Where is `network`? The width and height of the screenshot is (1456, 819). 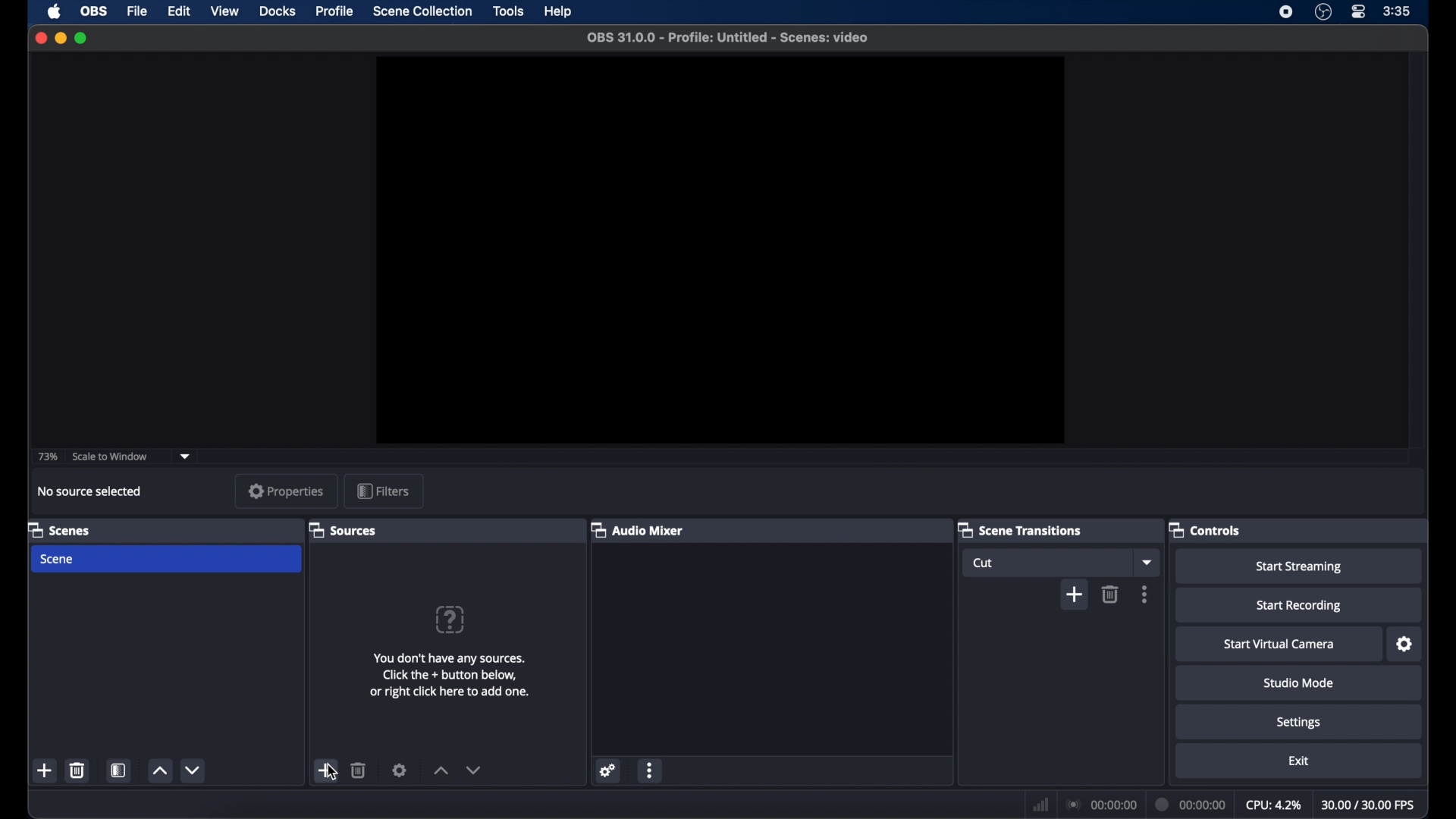
network is located at coordinates (1039, 803).